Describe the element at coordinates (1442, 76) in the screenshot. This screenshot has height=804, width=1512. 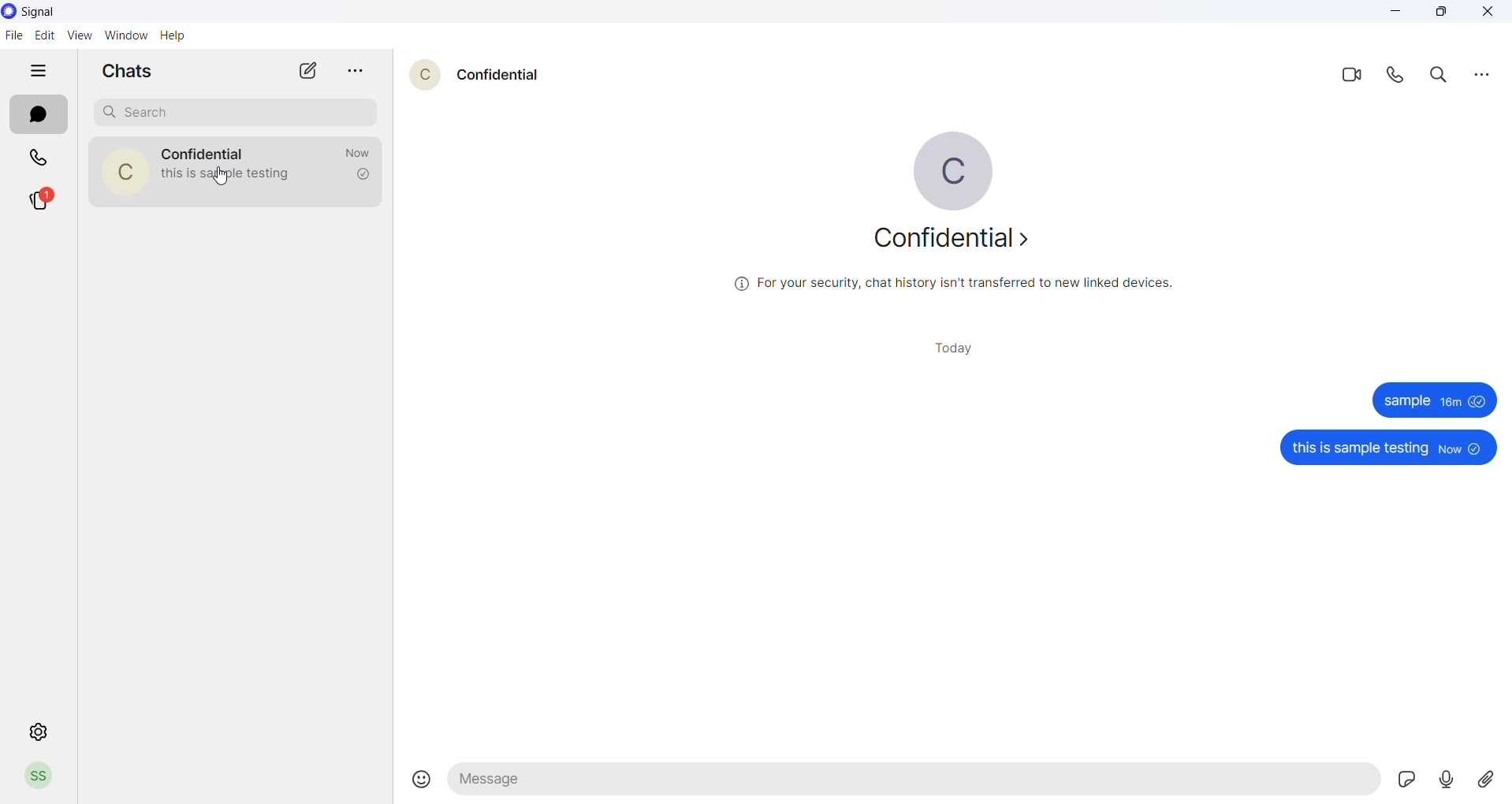
I see `search message` at that location.